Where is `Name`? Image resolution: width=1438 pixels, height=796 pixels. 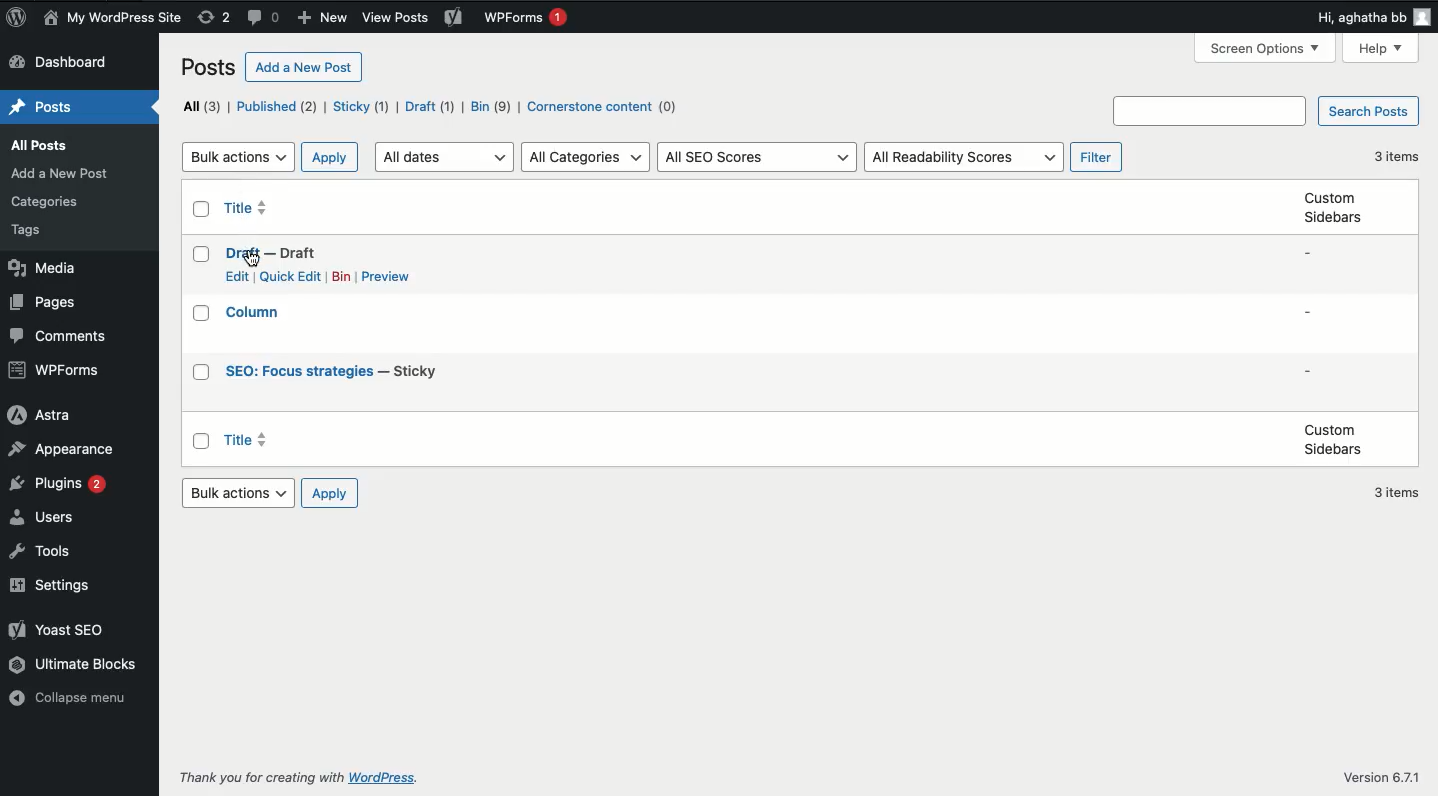
Name is located at coordinates (114, 17).